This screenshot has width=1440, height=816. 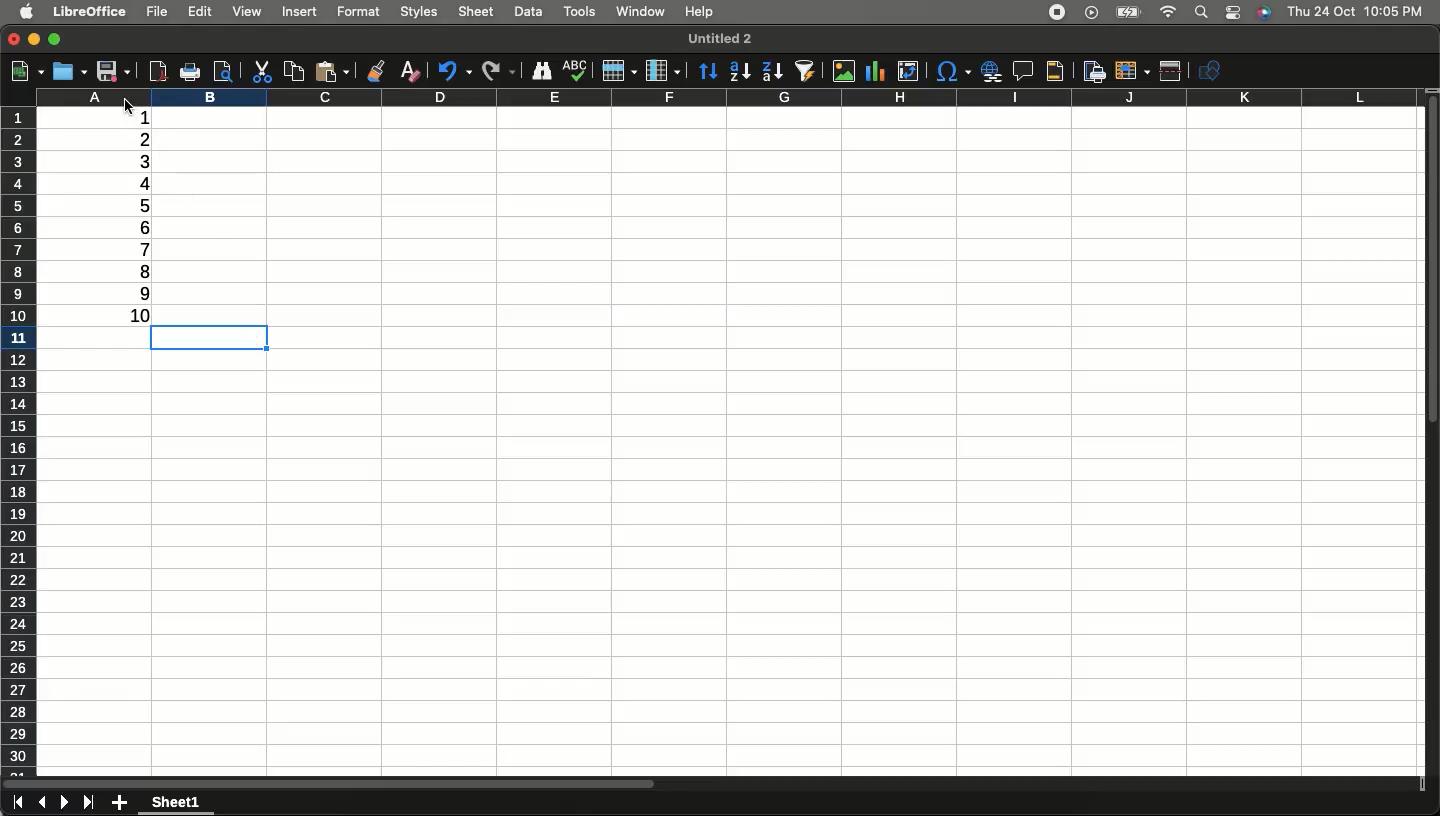 I want to click on sheet1, so click(x=178, y=803).